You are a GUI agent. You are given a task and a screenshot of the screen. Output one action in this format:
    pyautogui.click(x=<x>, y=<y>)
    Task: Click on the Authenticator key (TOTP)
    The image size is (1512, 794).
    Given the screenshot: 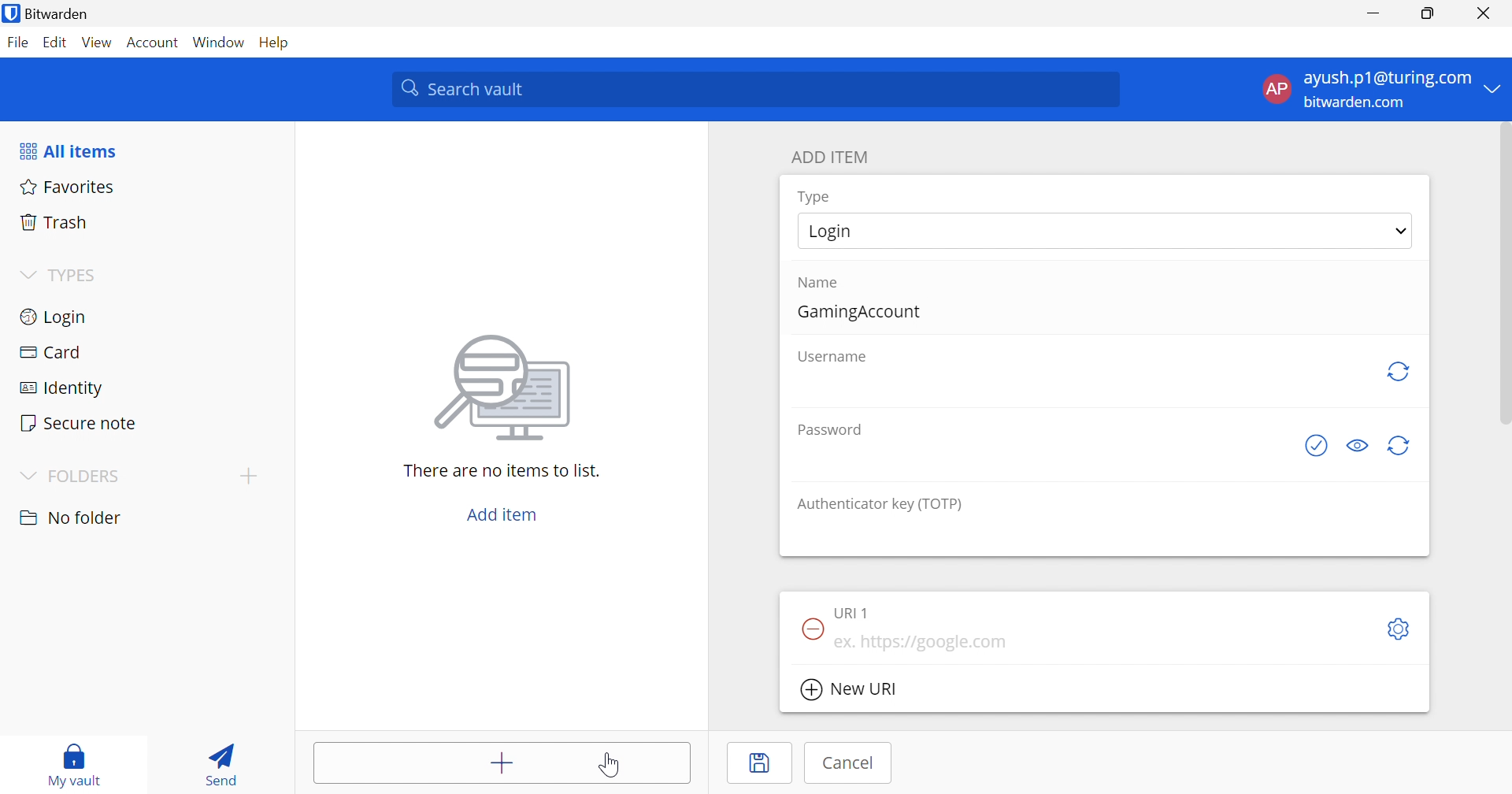 What is the action you would take?
    pyautogui.click(x=884, y=504)
    